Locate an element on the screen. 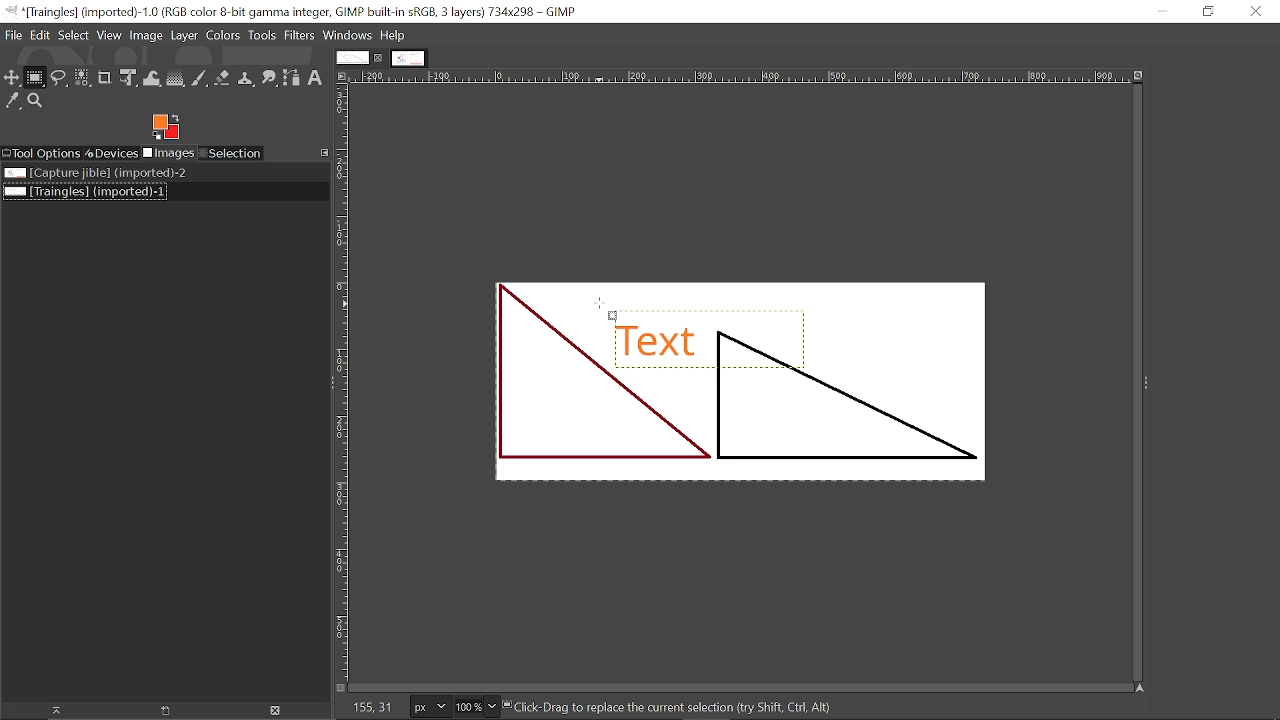  Current tab is located at coordinates (351, 58).